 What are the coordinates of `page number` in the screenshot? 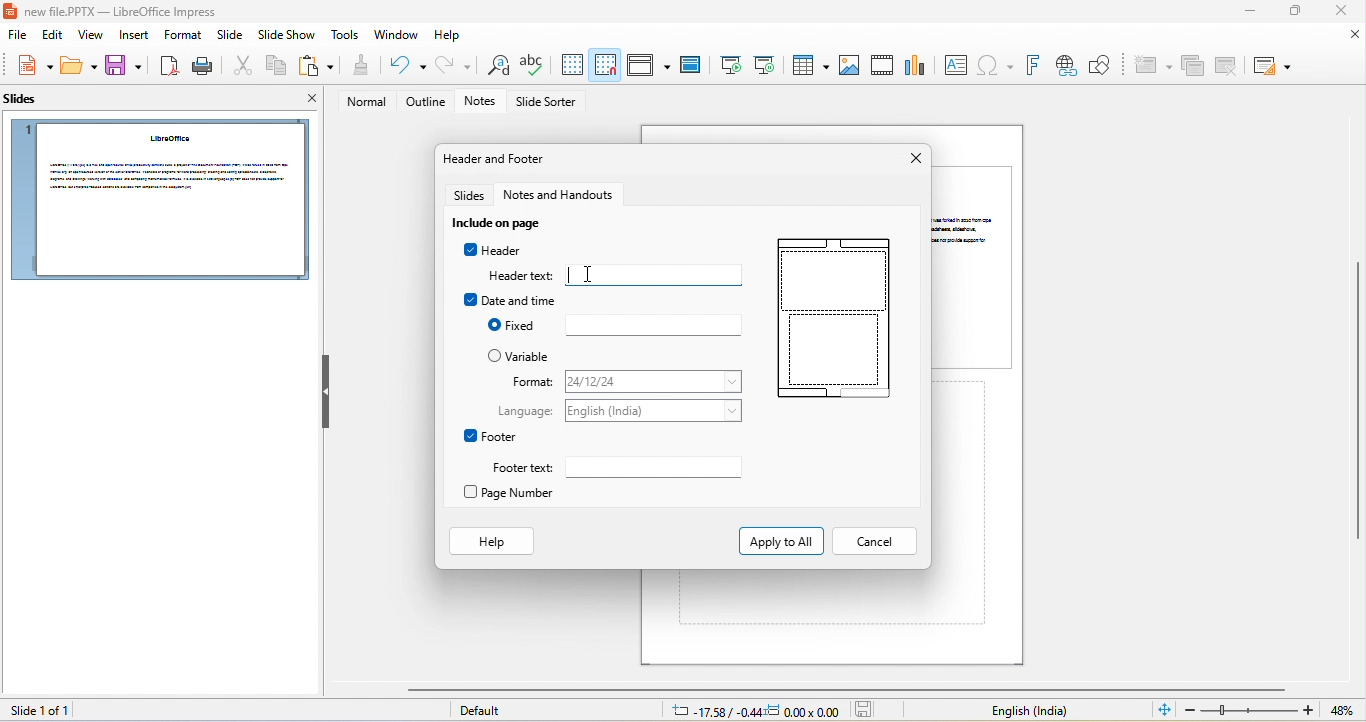 It's located at (517, 494).